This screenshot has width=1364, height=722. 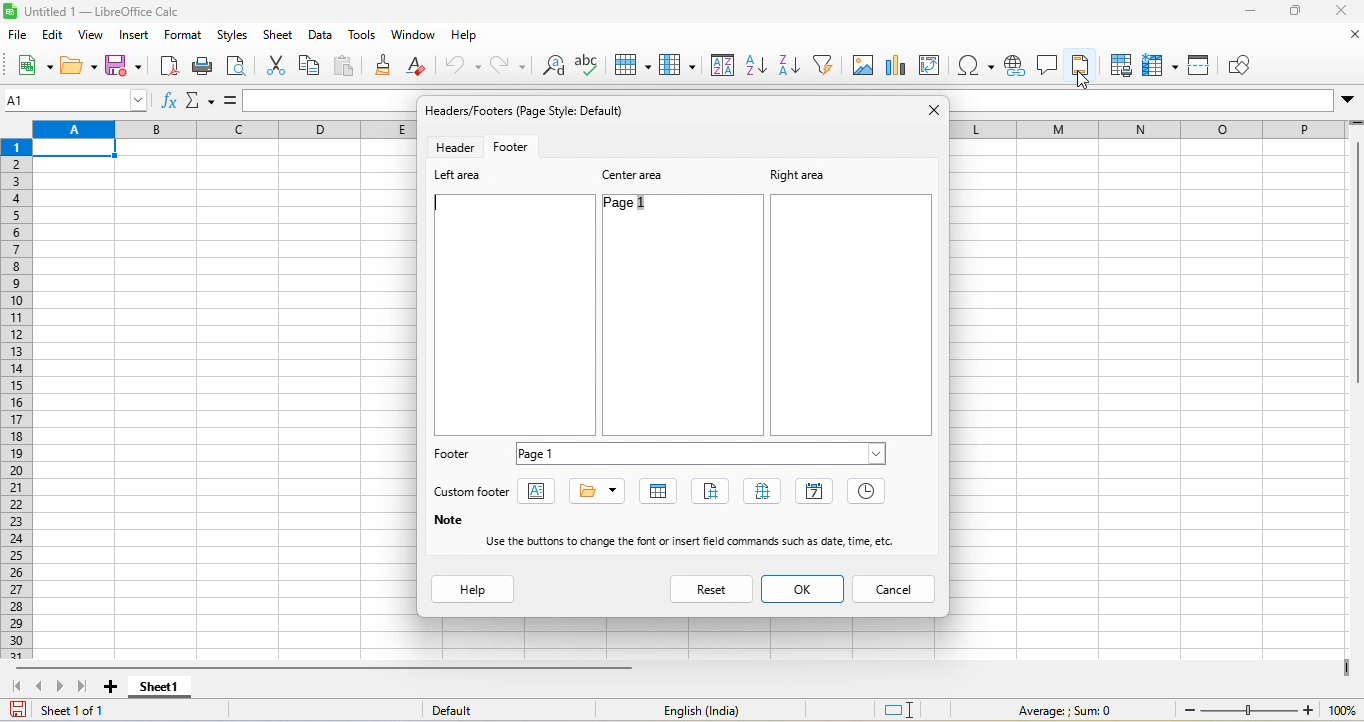 What do you see at coordinates (519, 146) in the screenshot?
I see `footer` at bounding box center [519, 146].